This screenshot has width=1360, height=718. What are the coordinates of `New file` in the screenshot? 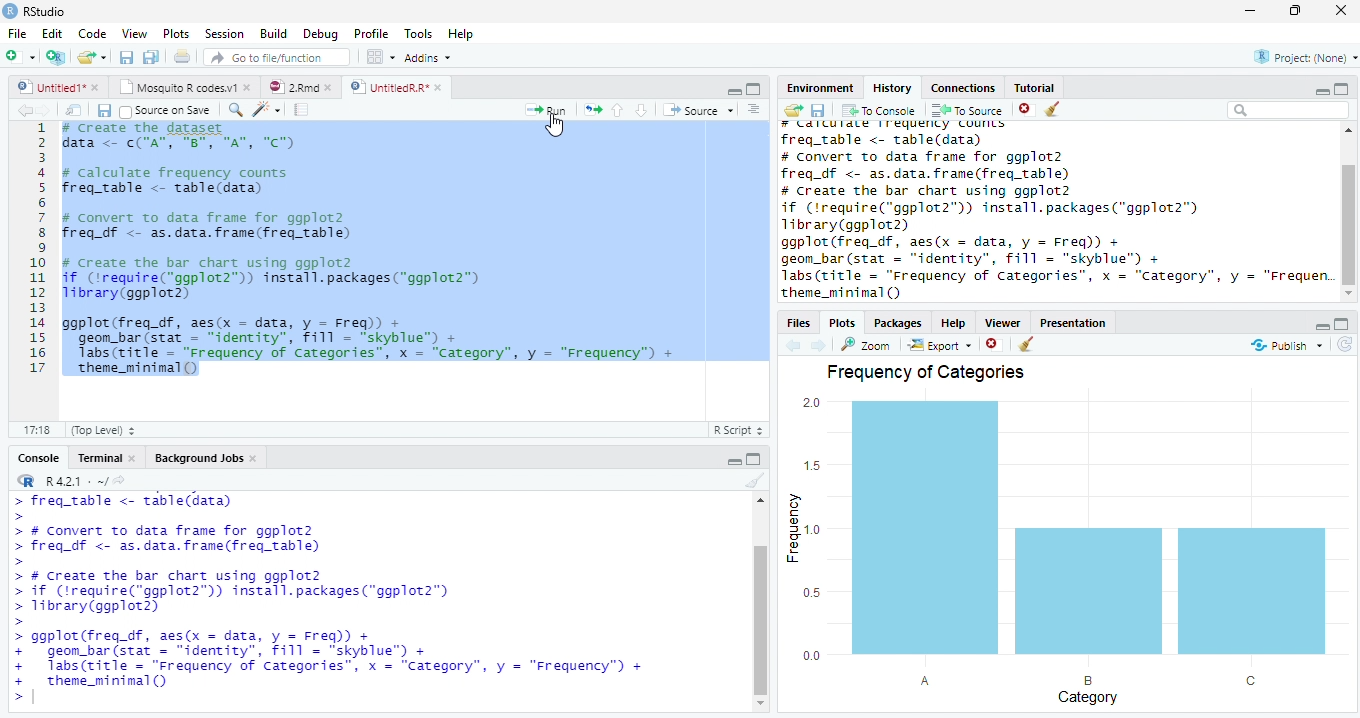 It's located at (20, 56).